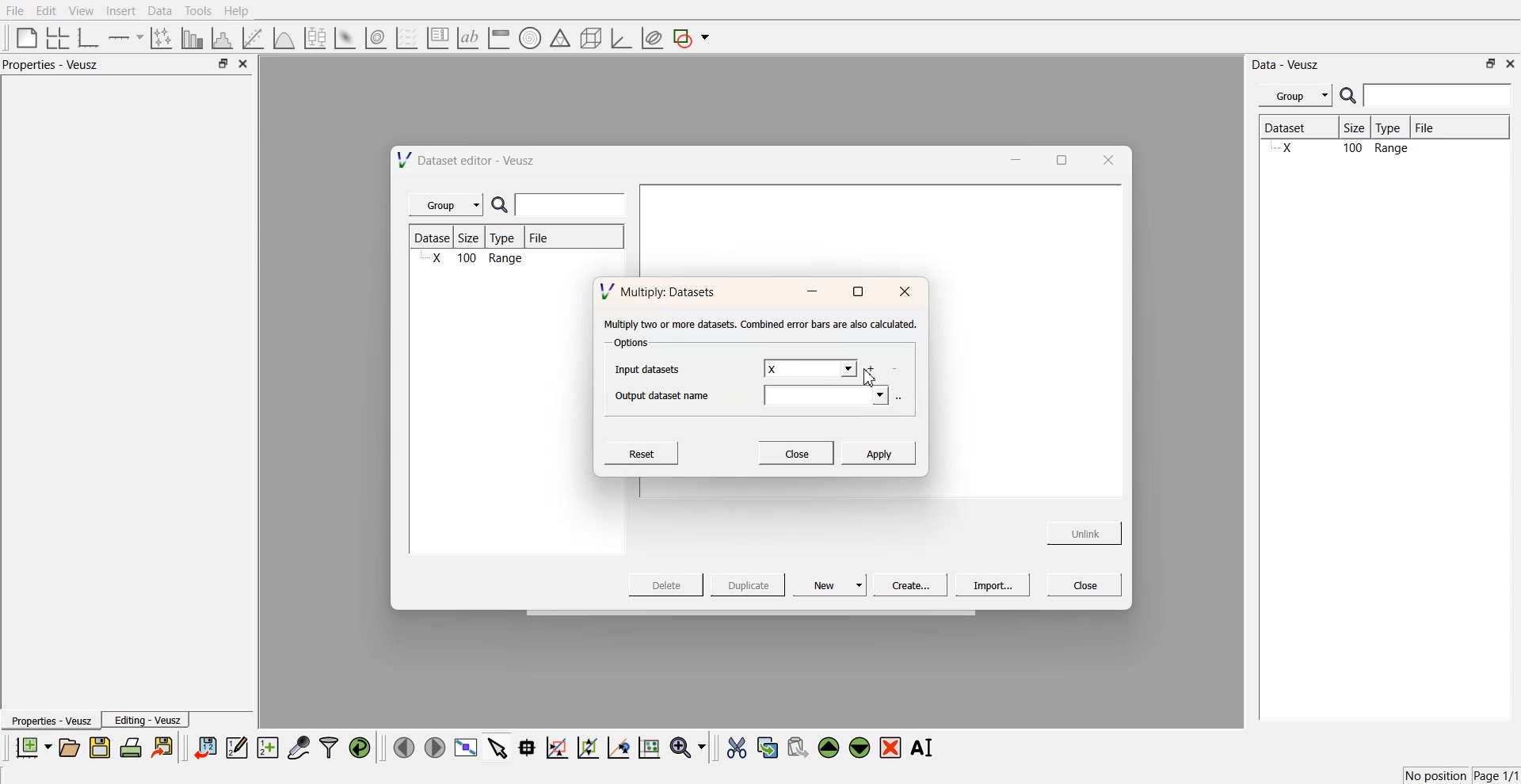 The image size is (1521, 784). I want to click on zoom out the graph axes, so click(586, 747).